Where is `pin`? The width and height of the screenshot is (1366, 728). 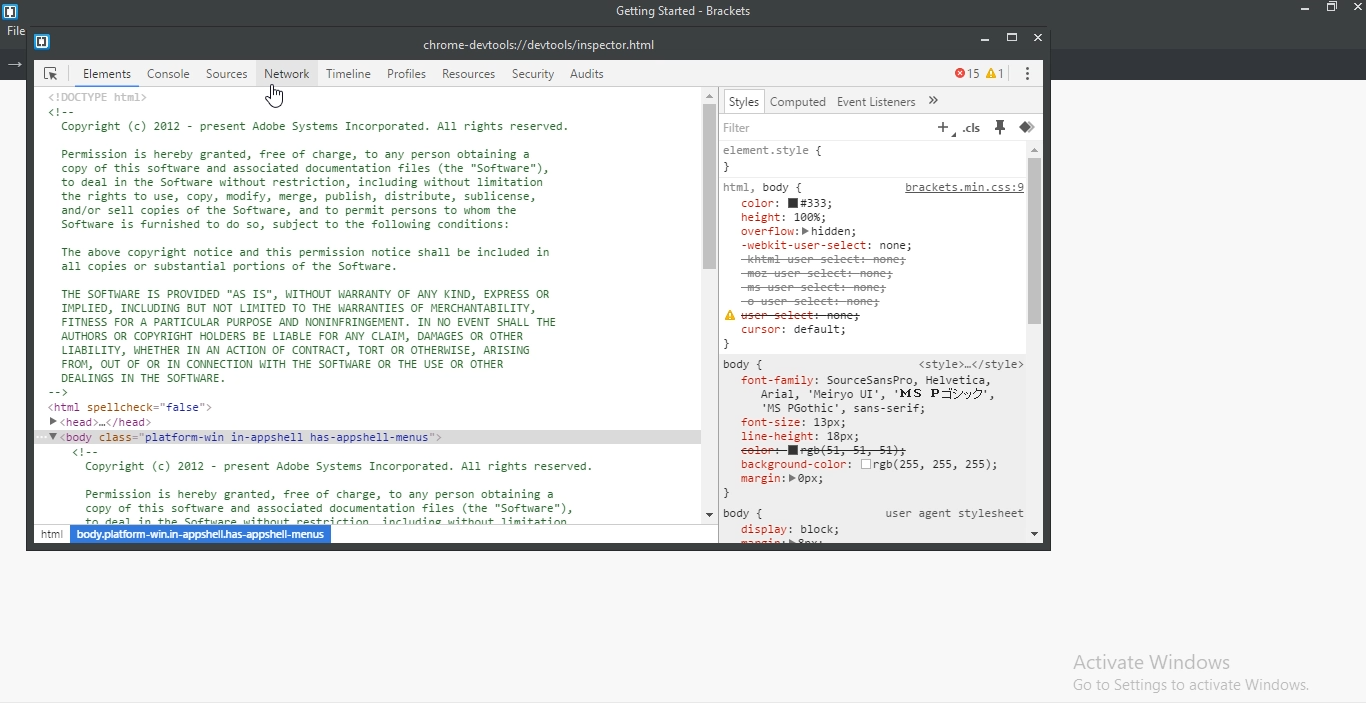 pin is located at coordinates (998, 127).